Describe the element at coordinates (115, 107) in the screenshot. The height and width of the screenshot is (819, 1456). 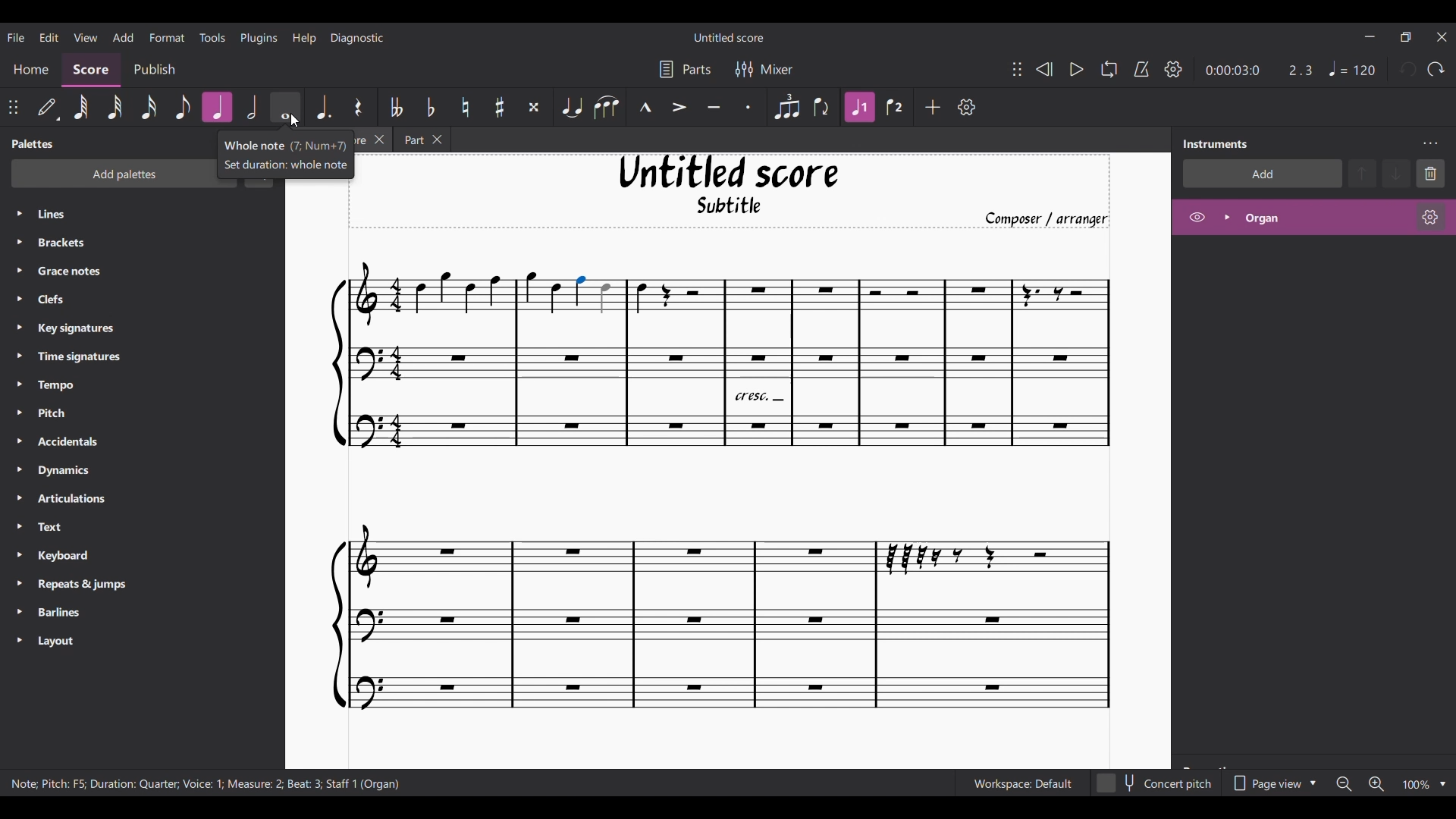
I see `32nd note` at that location.